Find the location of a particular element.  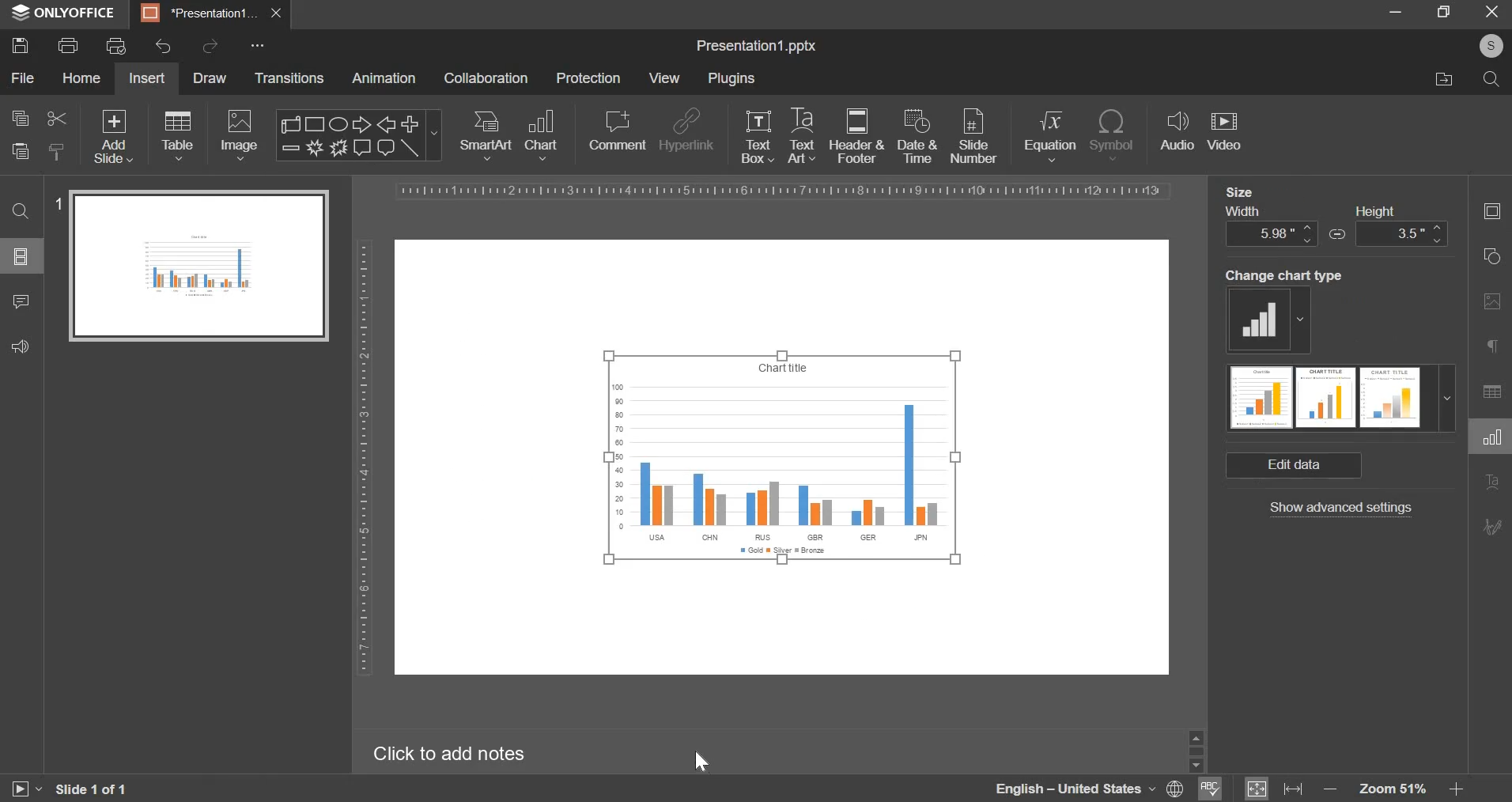

header & footer is located at coordinates (856, 136).